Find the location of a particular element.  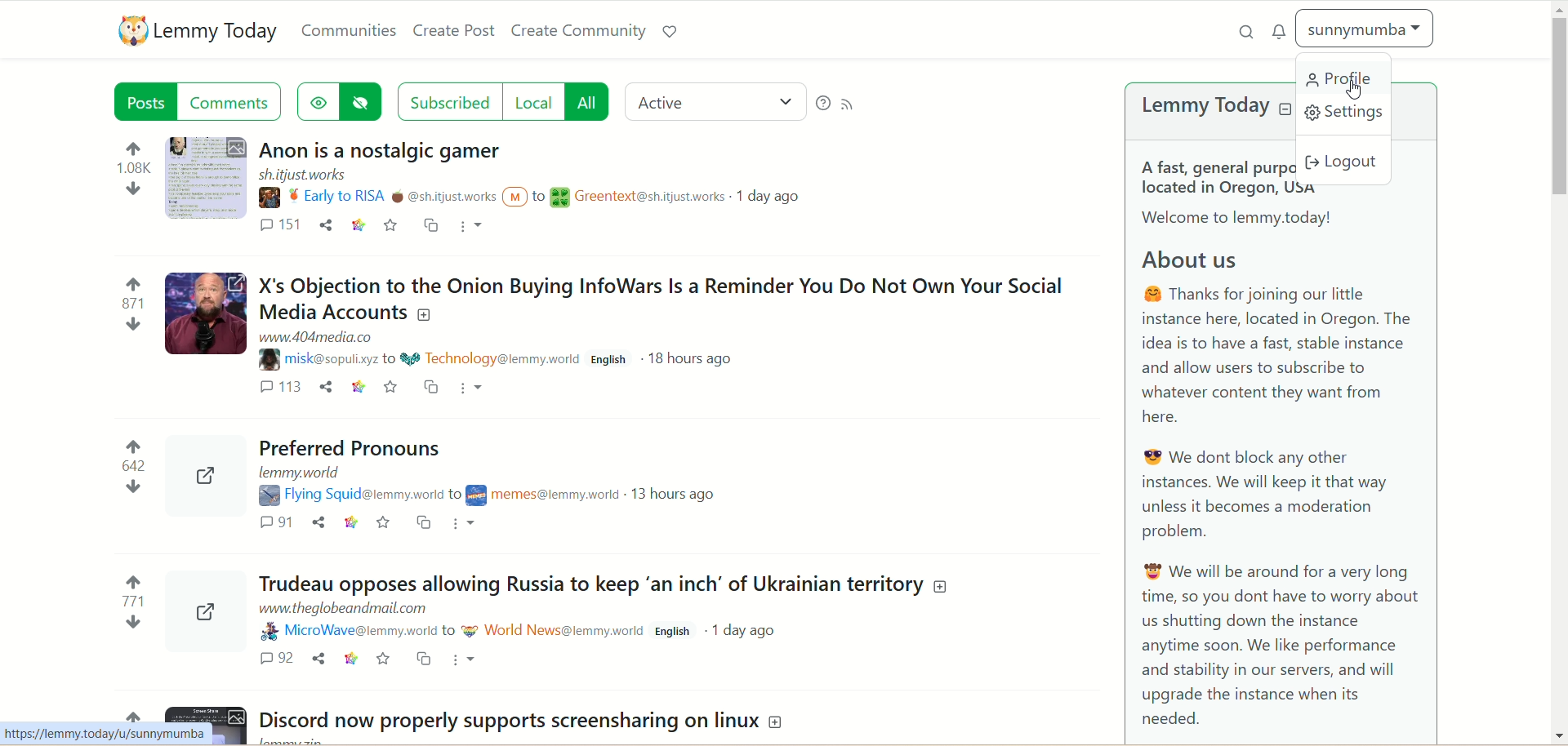

profile is located at coordinates (1345, 84).